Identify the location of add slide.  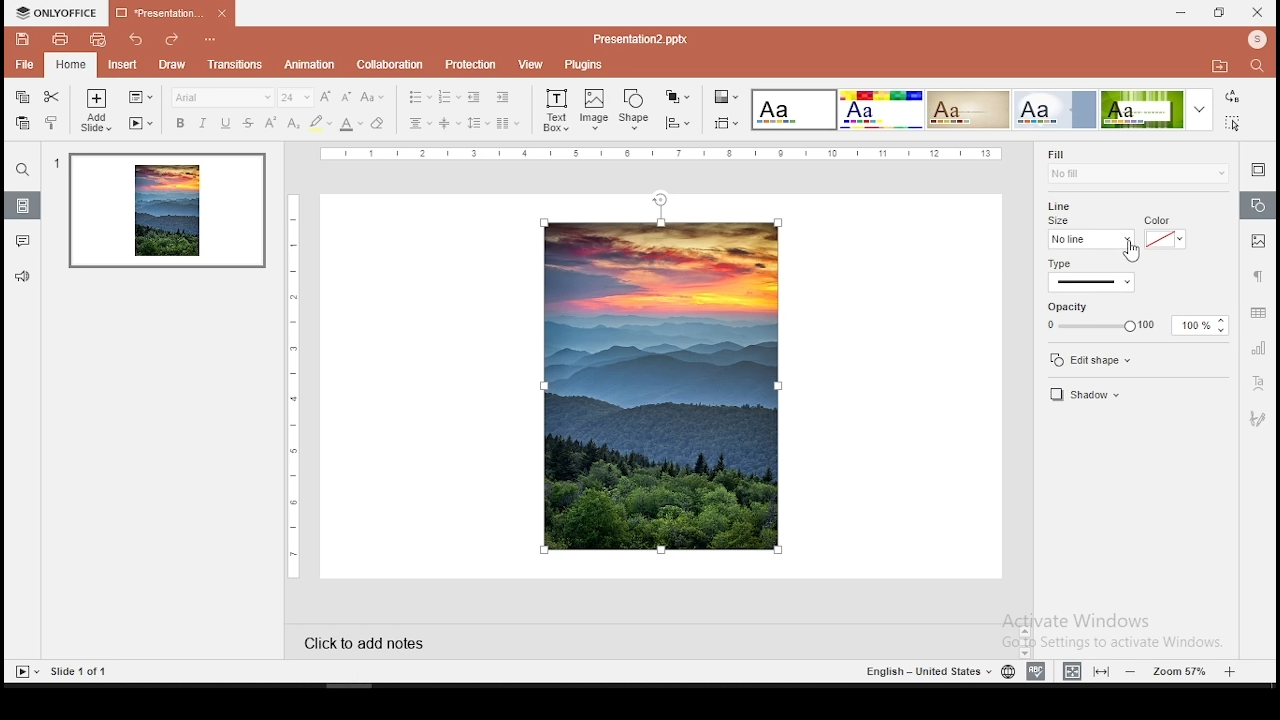
(95, 110).